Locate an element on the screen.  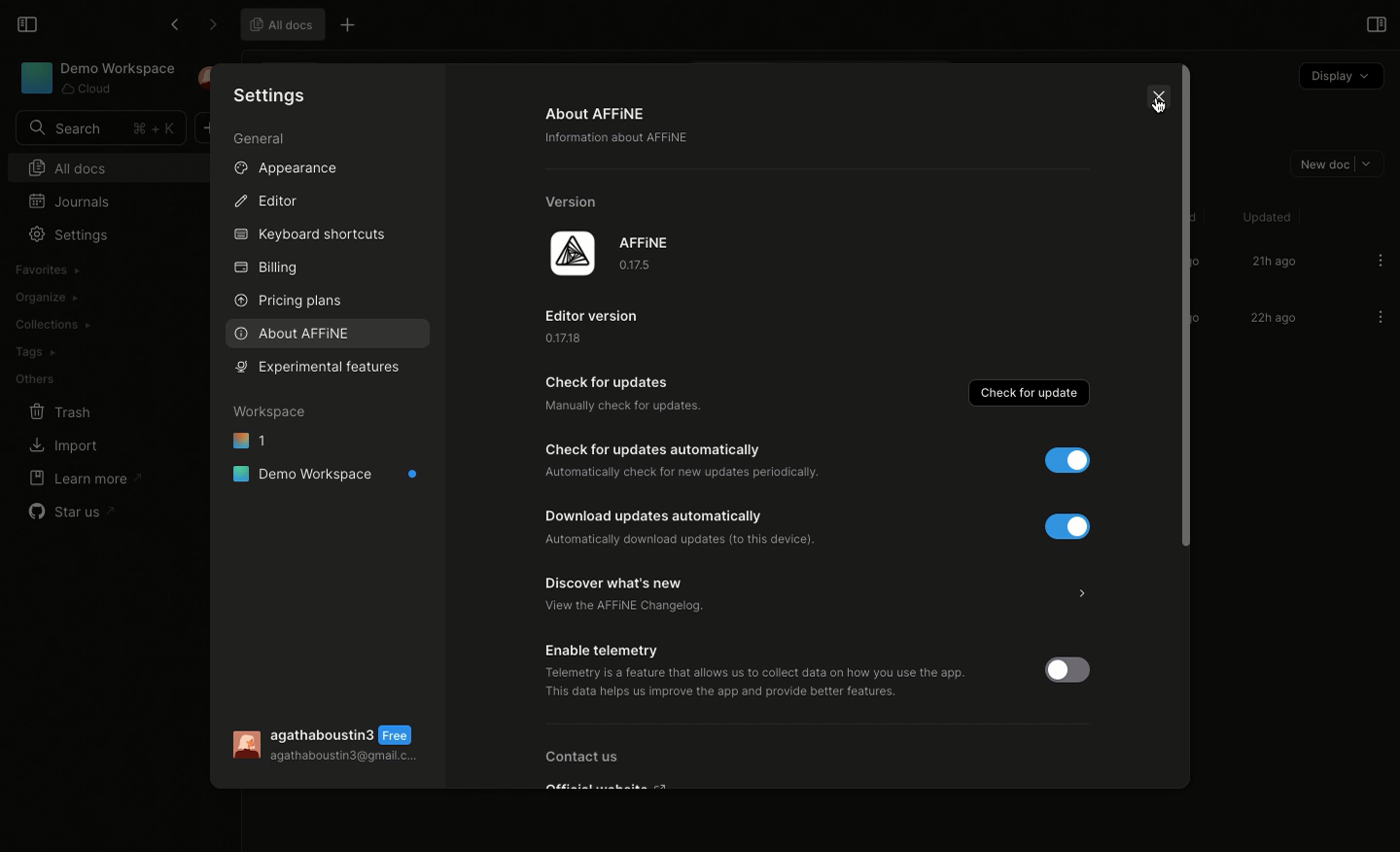
Enabled is located at coordinates (1063, 525).